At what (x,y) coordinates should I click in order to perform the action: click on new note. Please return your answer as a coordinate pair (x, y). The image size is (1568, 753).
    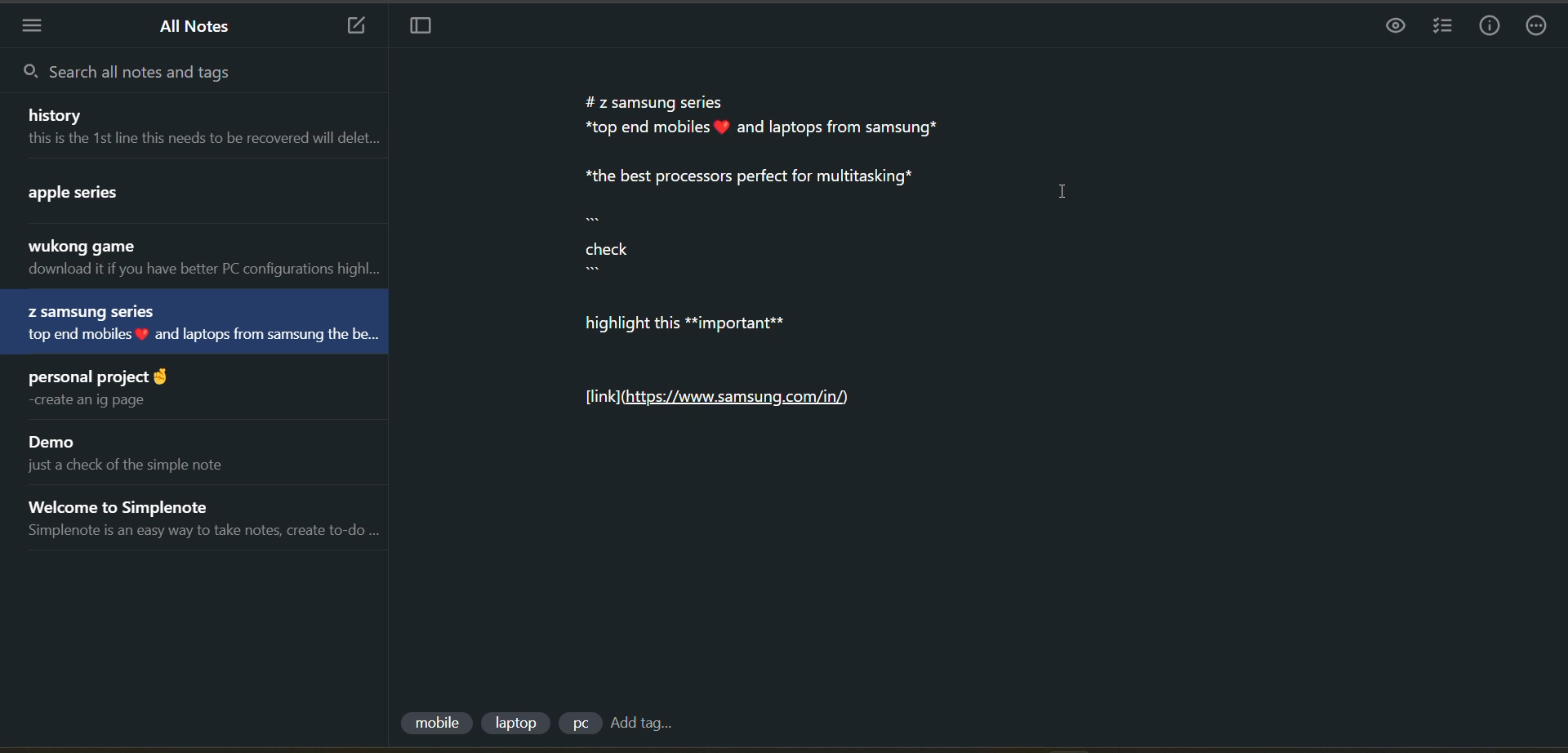
    Looking at the image, I should click on (356, 27).